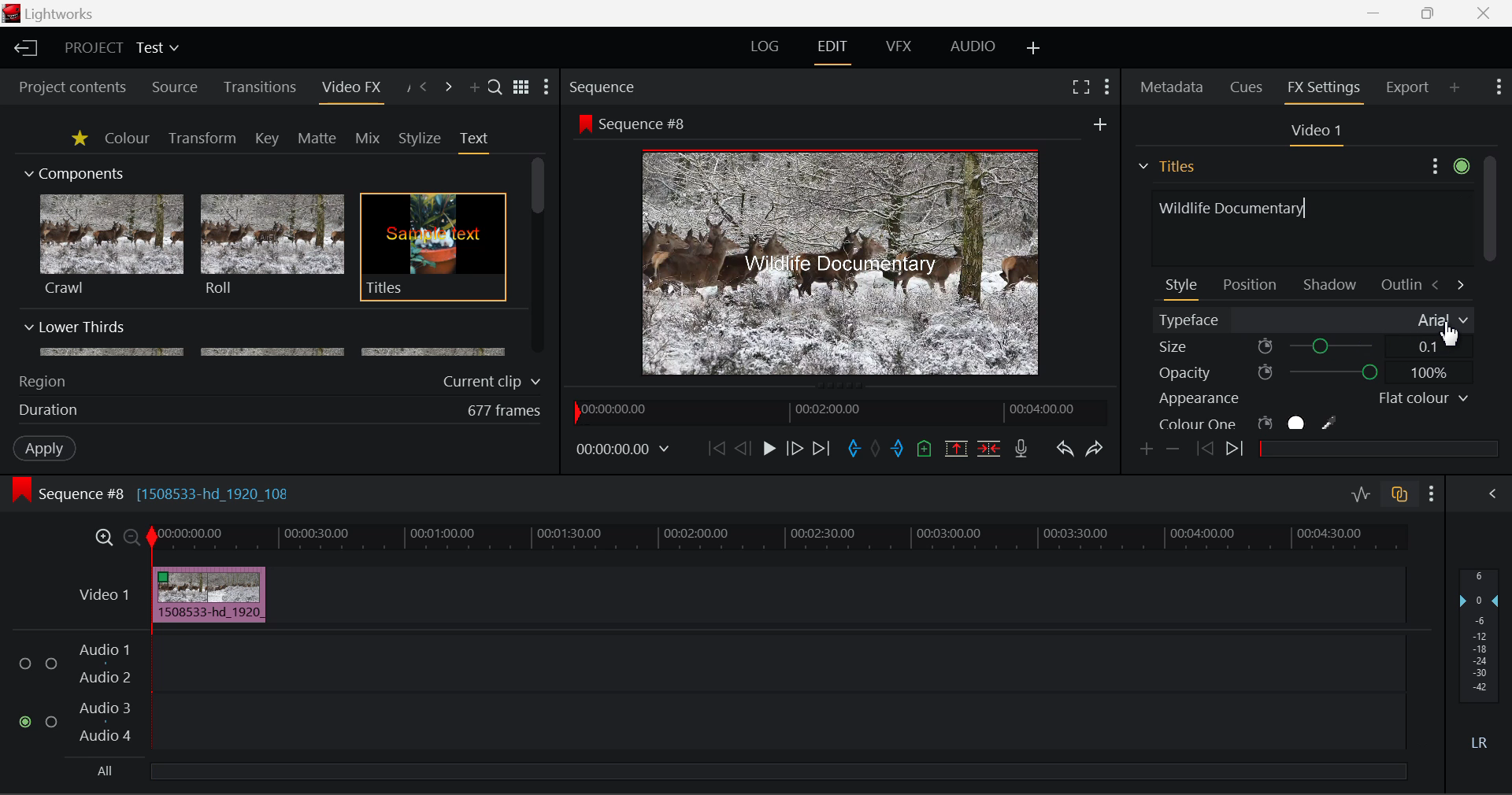 The image size is (1512, 795). I want to click on Mark In, so click(854, 451).